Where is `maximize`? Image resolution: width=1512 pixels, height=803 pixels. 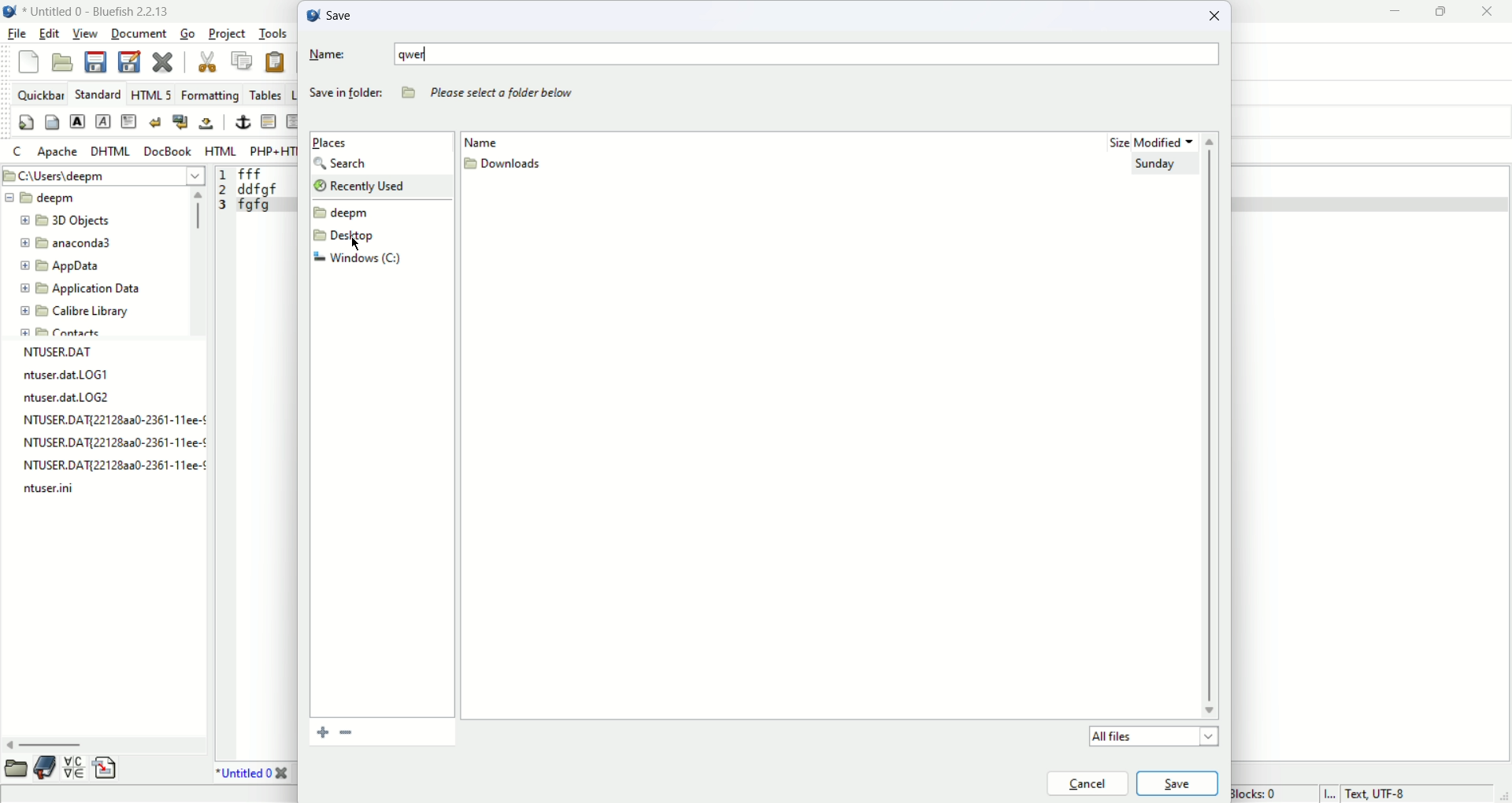 maximize is located at coordinates (1443, 13).